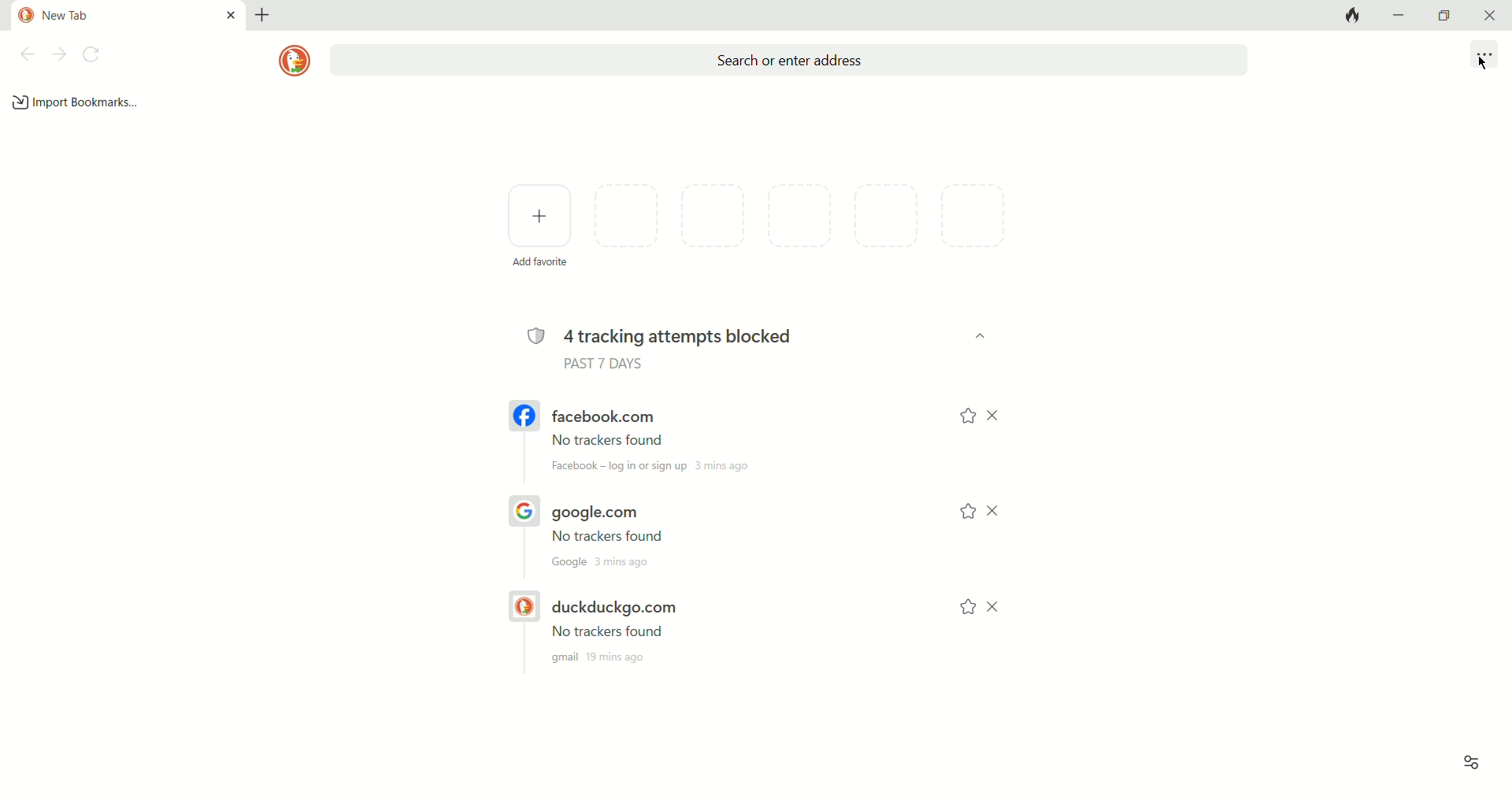 The image size is (1512, 803). I want to click on refresh, so click(92, 54).